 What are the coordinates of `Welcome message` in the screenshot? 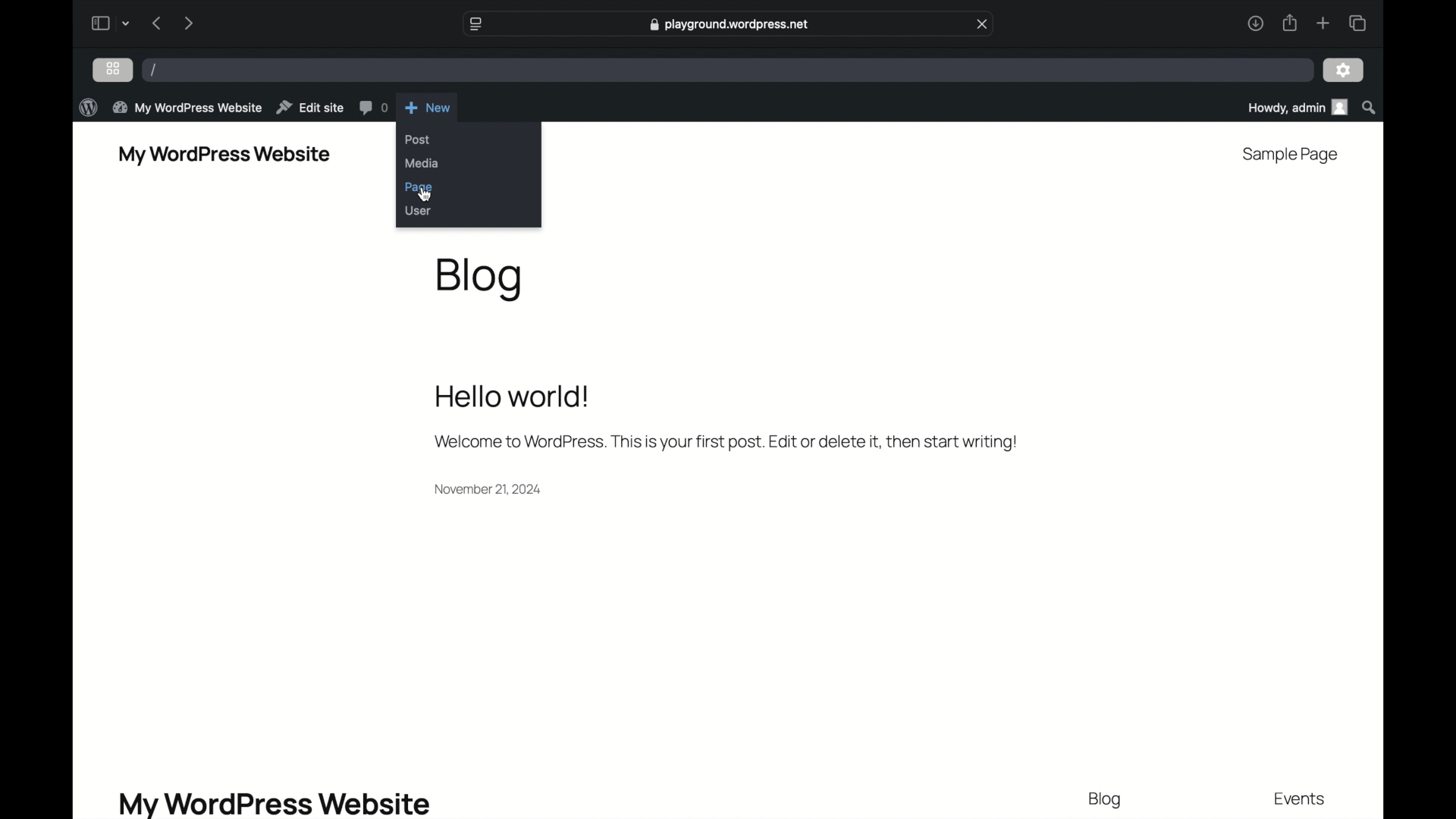 It's located at (724, 442).